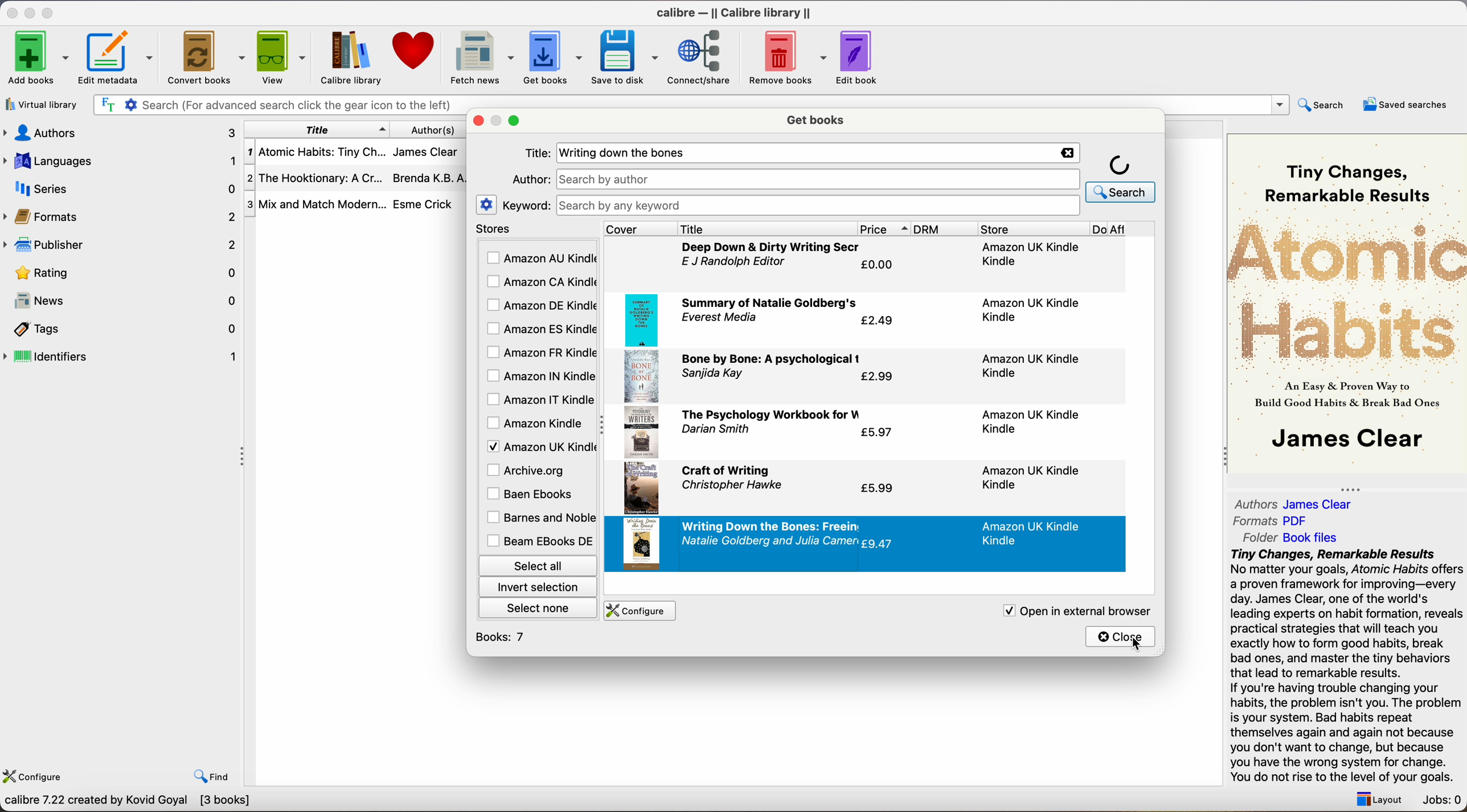 Image resolution: width=1467 pixels, height=812 pixels. I want to click on authors, so click(431, 129).